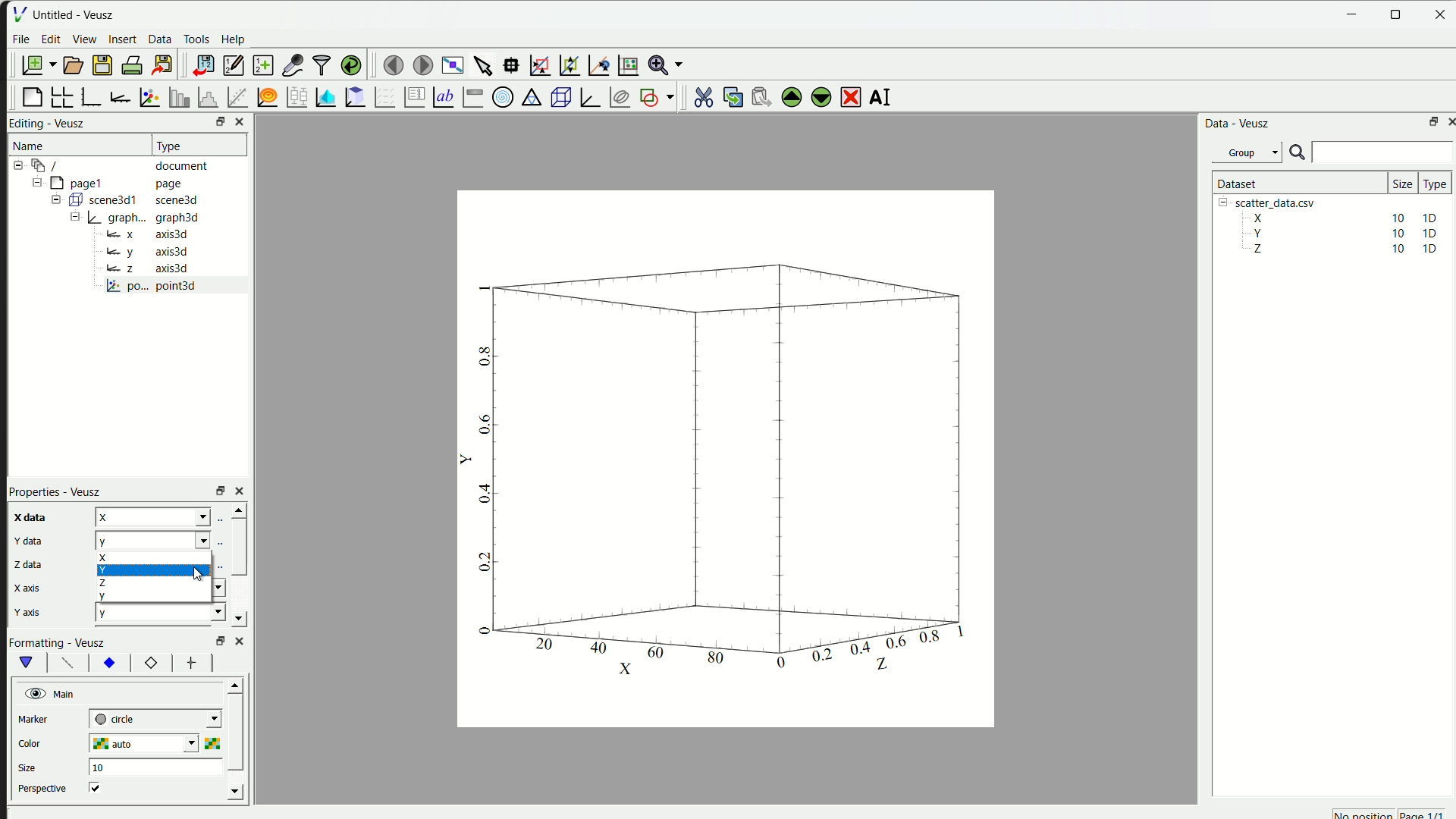  Describe the element at coordinates (205, 97) in the screenshot. I see `histogram of dataset` at that location.